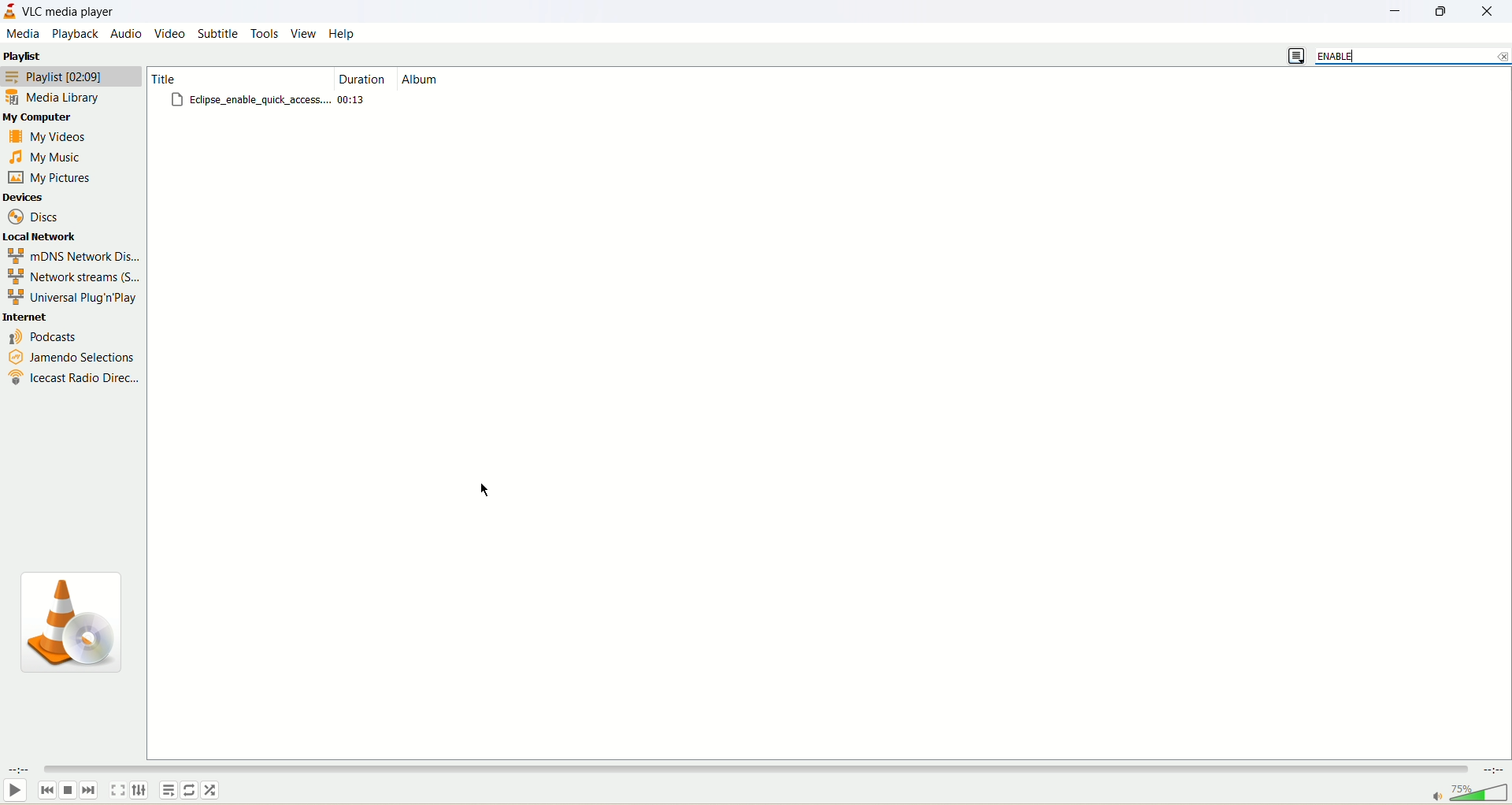 The width and height of the screenshot is (1512, 805). What do you see at coordinates (343, 32) in the screenshot?
I see `help` at bounding box center [343, 32].